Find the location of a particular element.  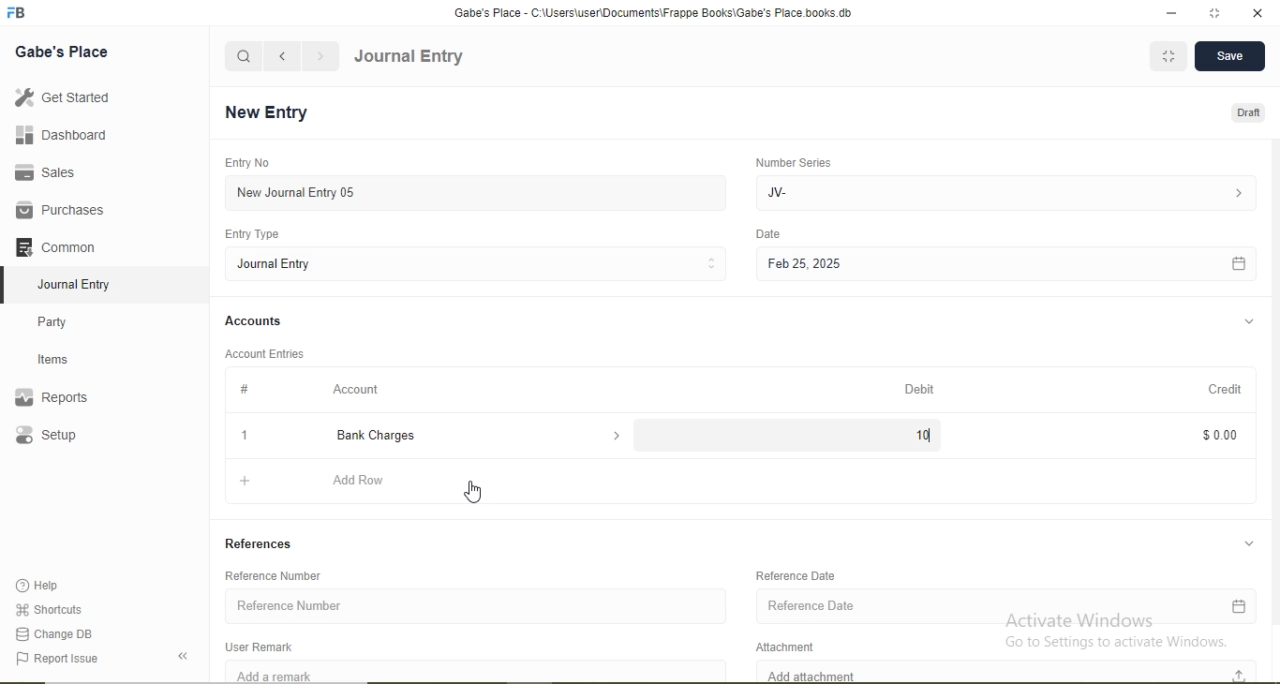

New Entry is located at coordinates (272, 113).